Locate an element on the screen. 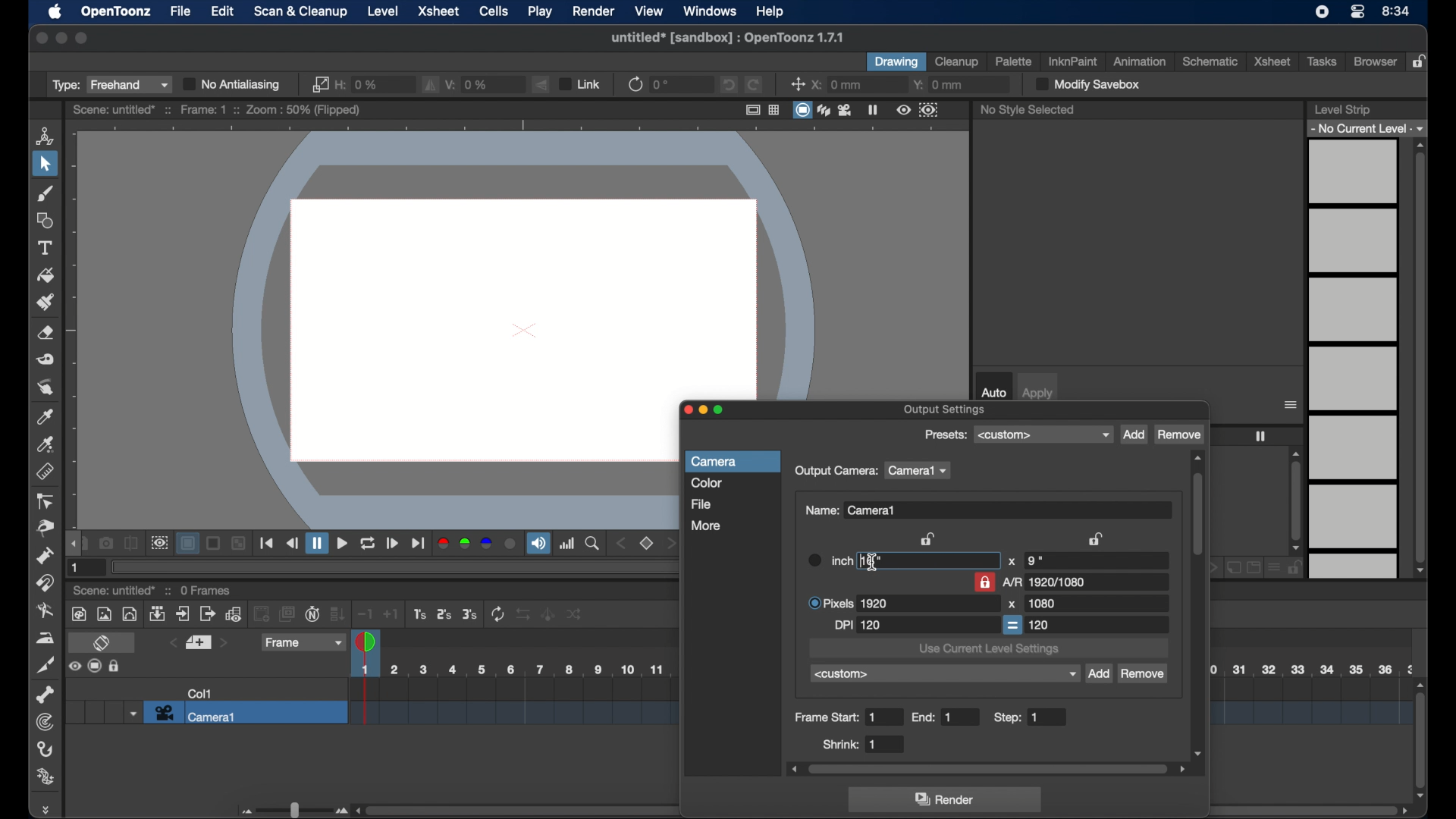  modify save box is located at coordinates (1086, 84).